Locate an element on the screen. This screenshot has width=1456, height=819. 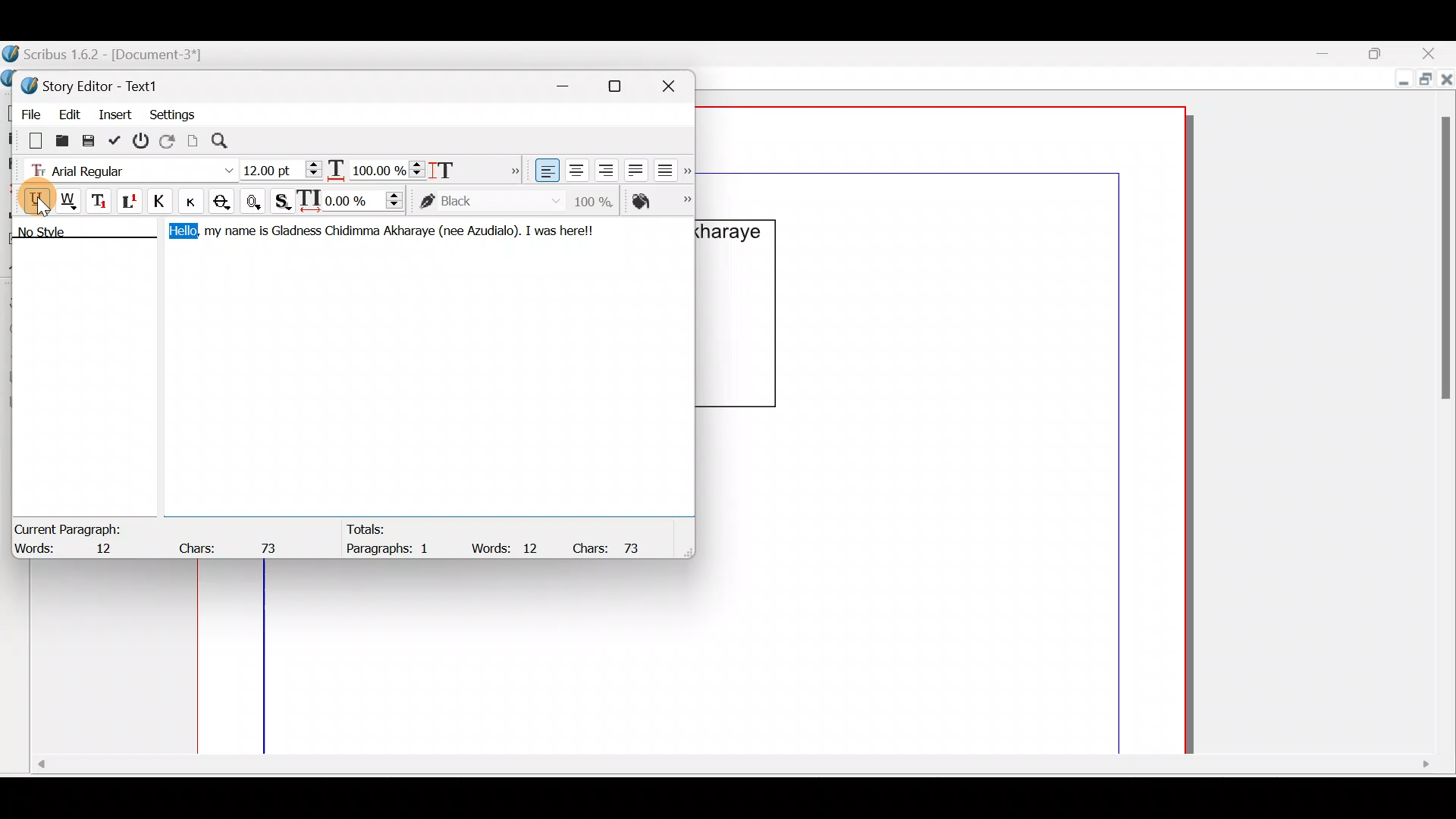
Insert  is located at coordinates (116, 113).